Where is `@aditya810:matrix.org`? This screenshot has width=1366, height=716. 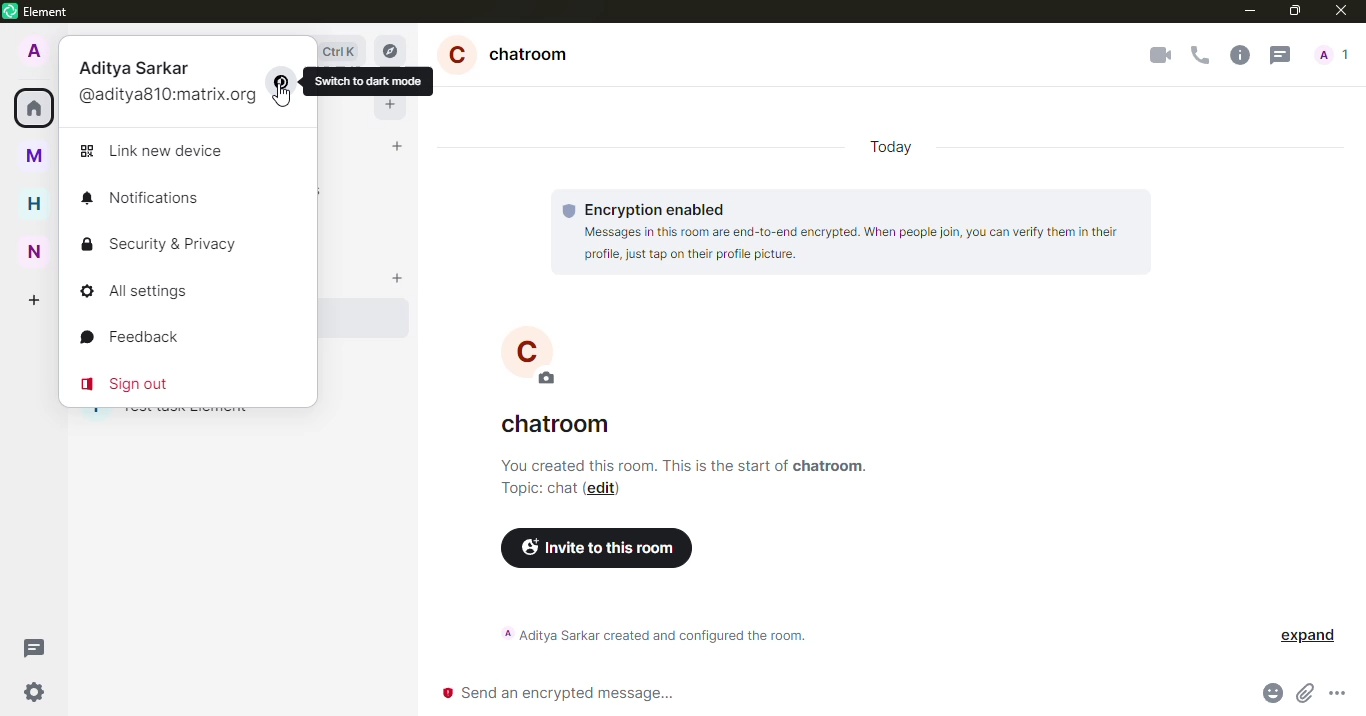
@aditya810:matrix.org is located at coordinates (170, 96).